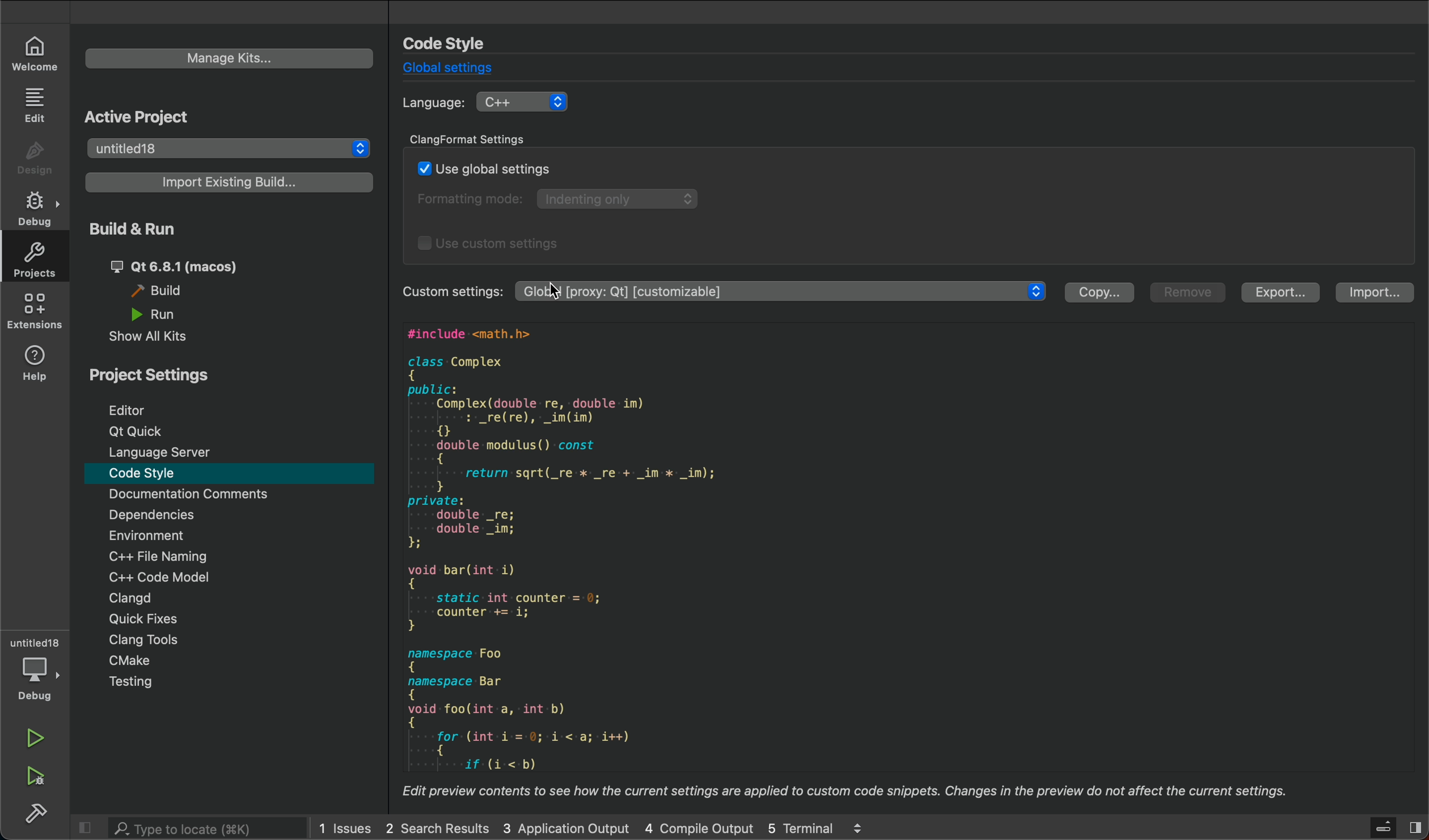  What do you see at coordinates (1279, 292) in the screenshot?
I see `export` at bounding box center [1279, 292].